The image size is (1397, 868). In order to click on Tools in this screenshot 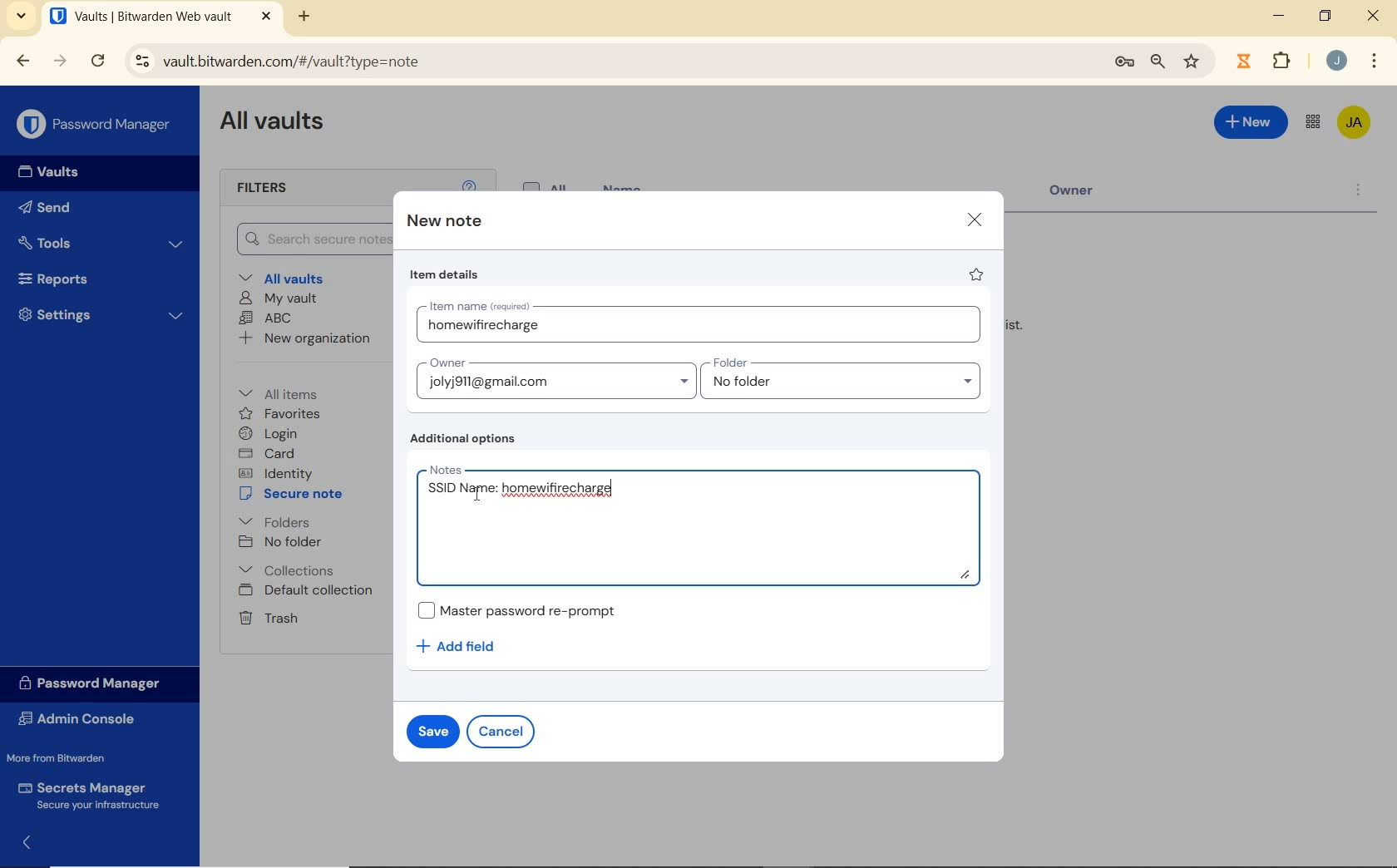, I will do `click(102, 242)`.